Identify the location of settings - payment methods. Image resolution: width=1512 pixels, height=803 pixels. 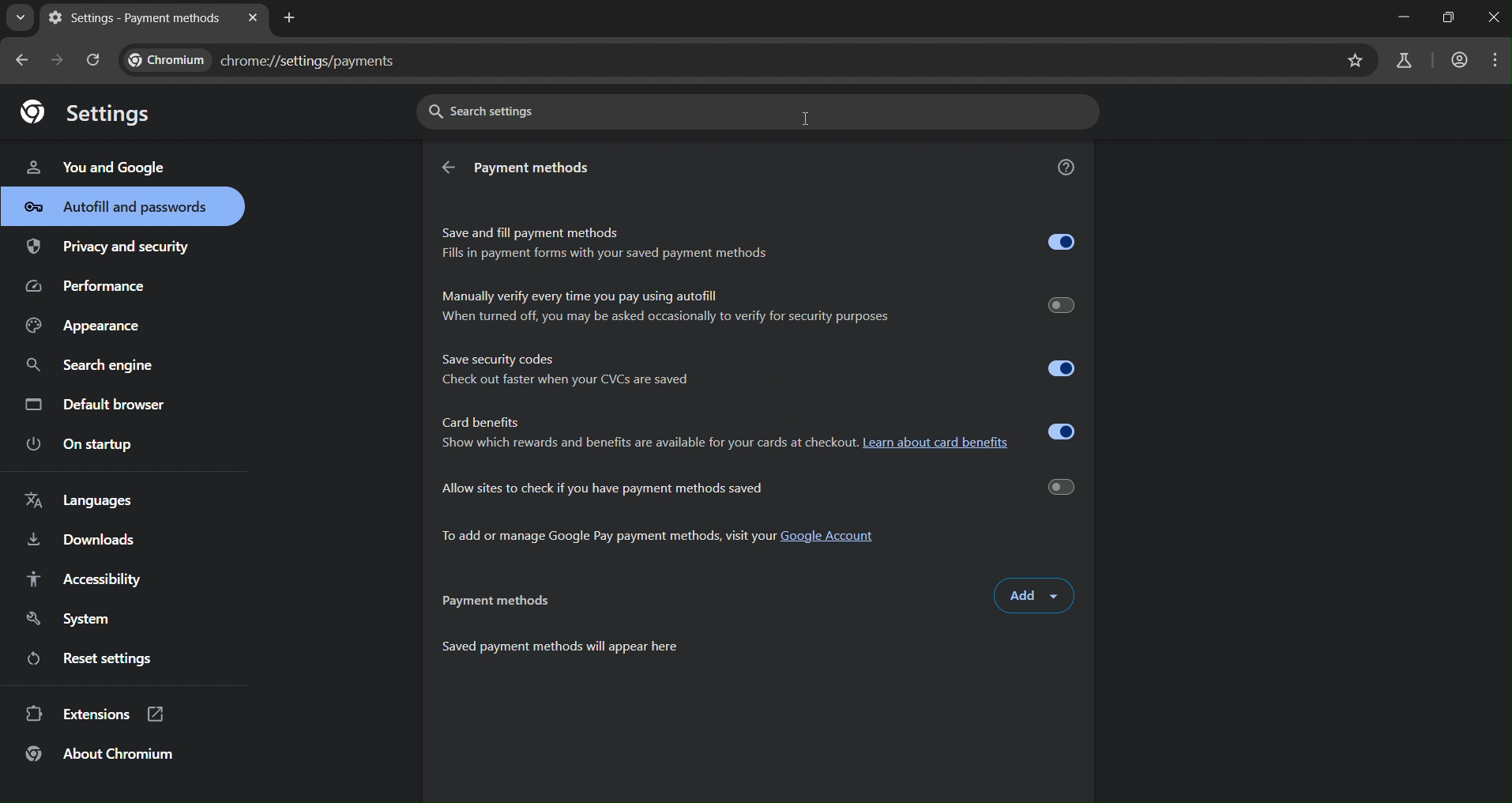
(138, 19).